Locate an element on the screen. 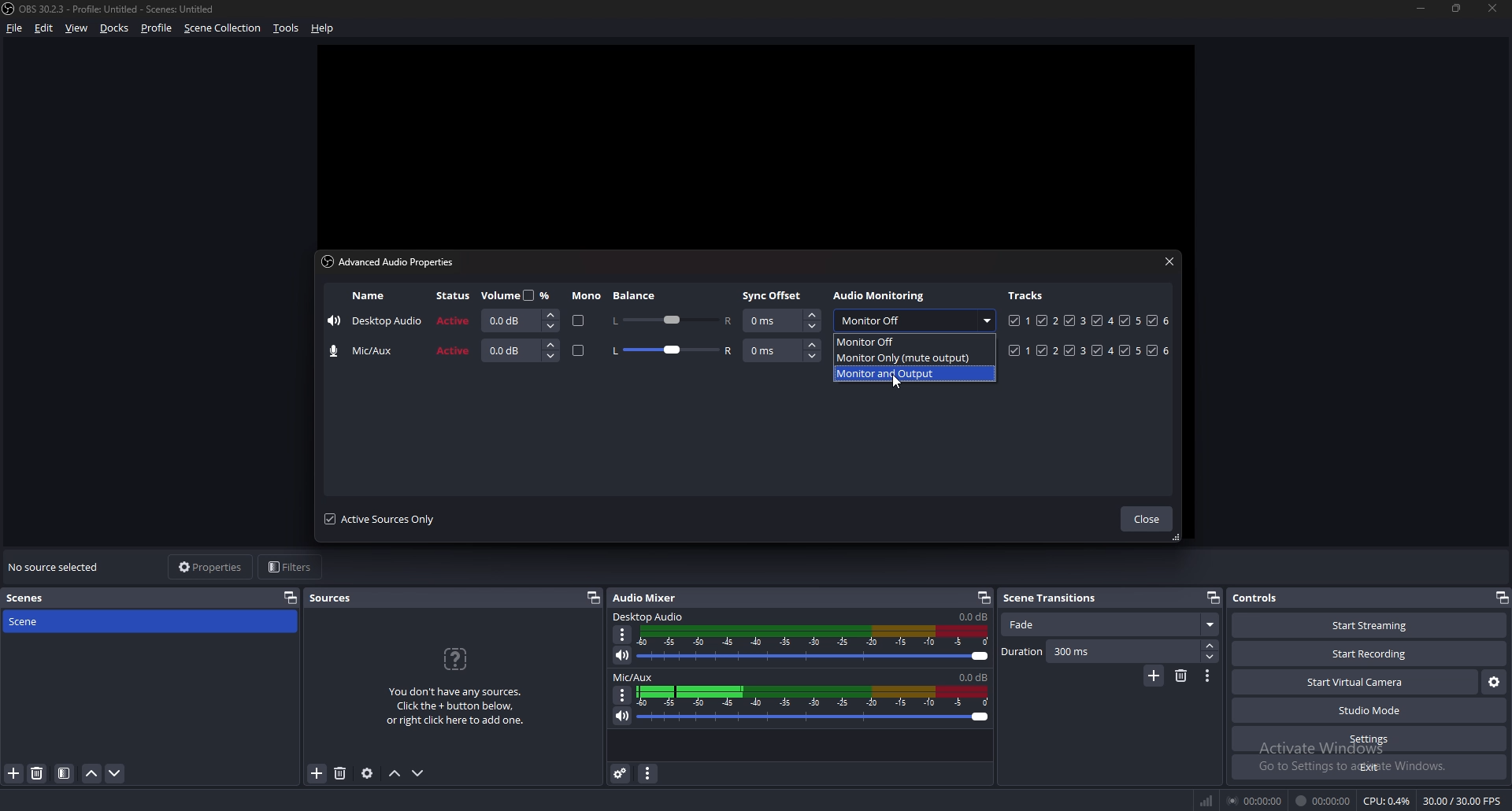 This screenshot has height=811, width=1512. advanced audio properties is located at coordinates (393, 261).